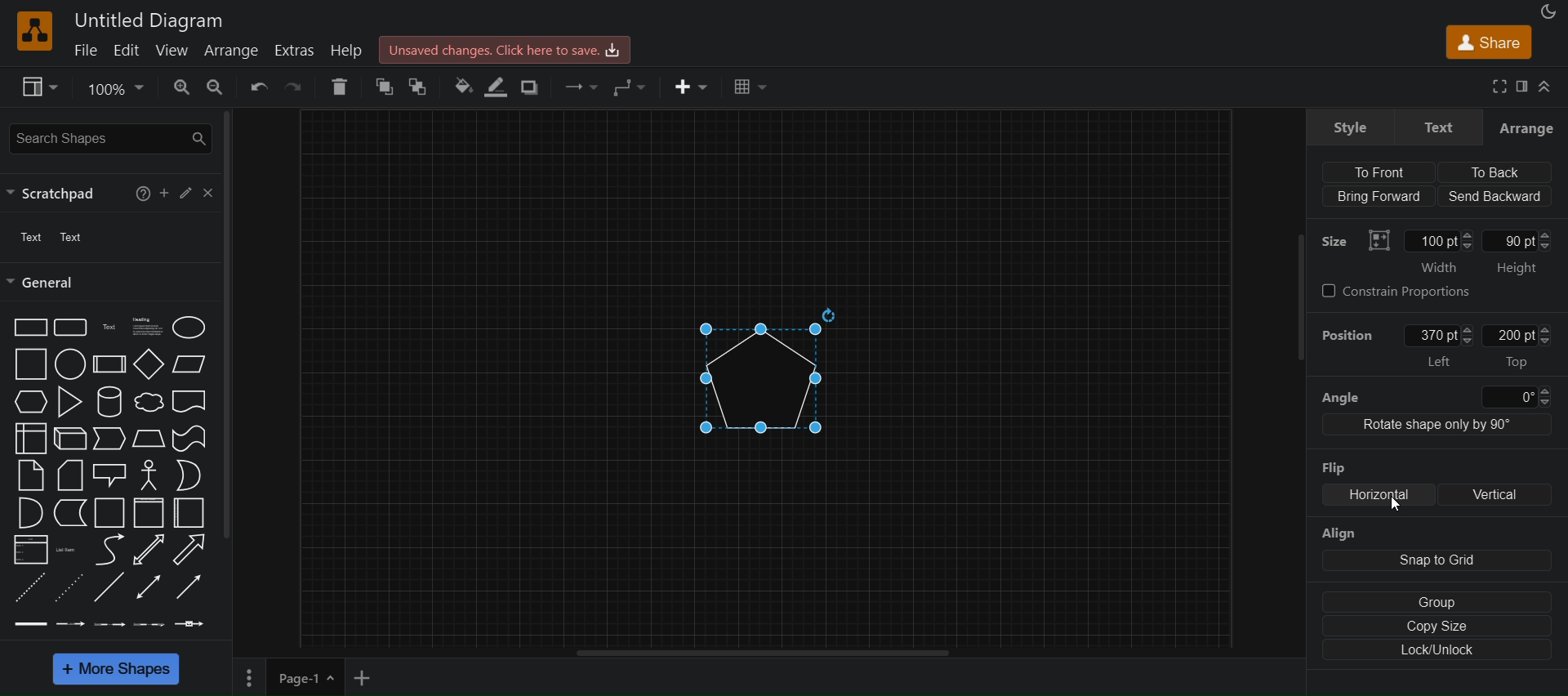 This screenshot has width=1568, height=696. What do you see at coordinates (256, 89) in the screenshot?
I see `undo` at bounding box center [256, 89].